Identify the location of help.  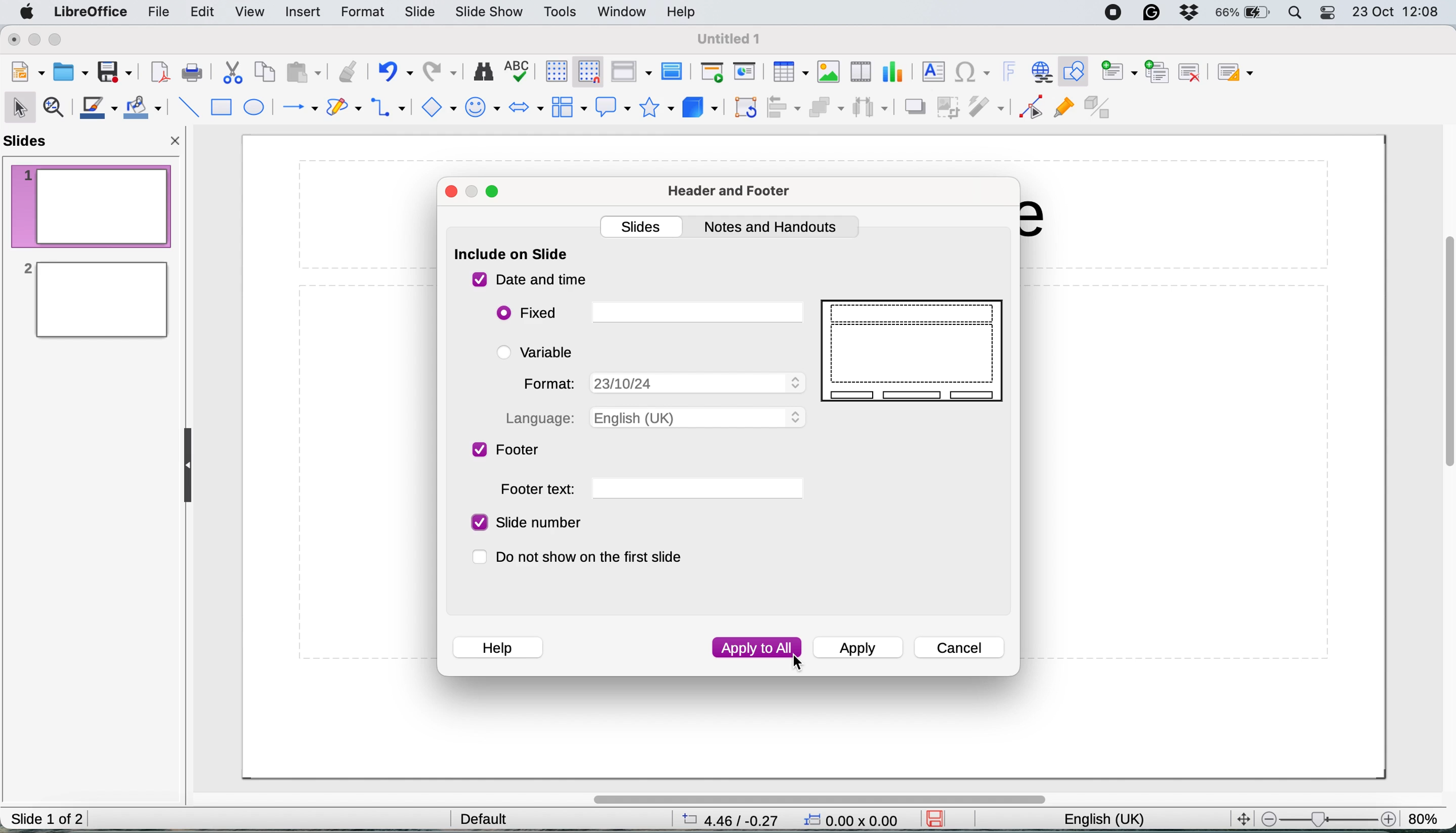
(497, 645).